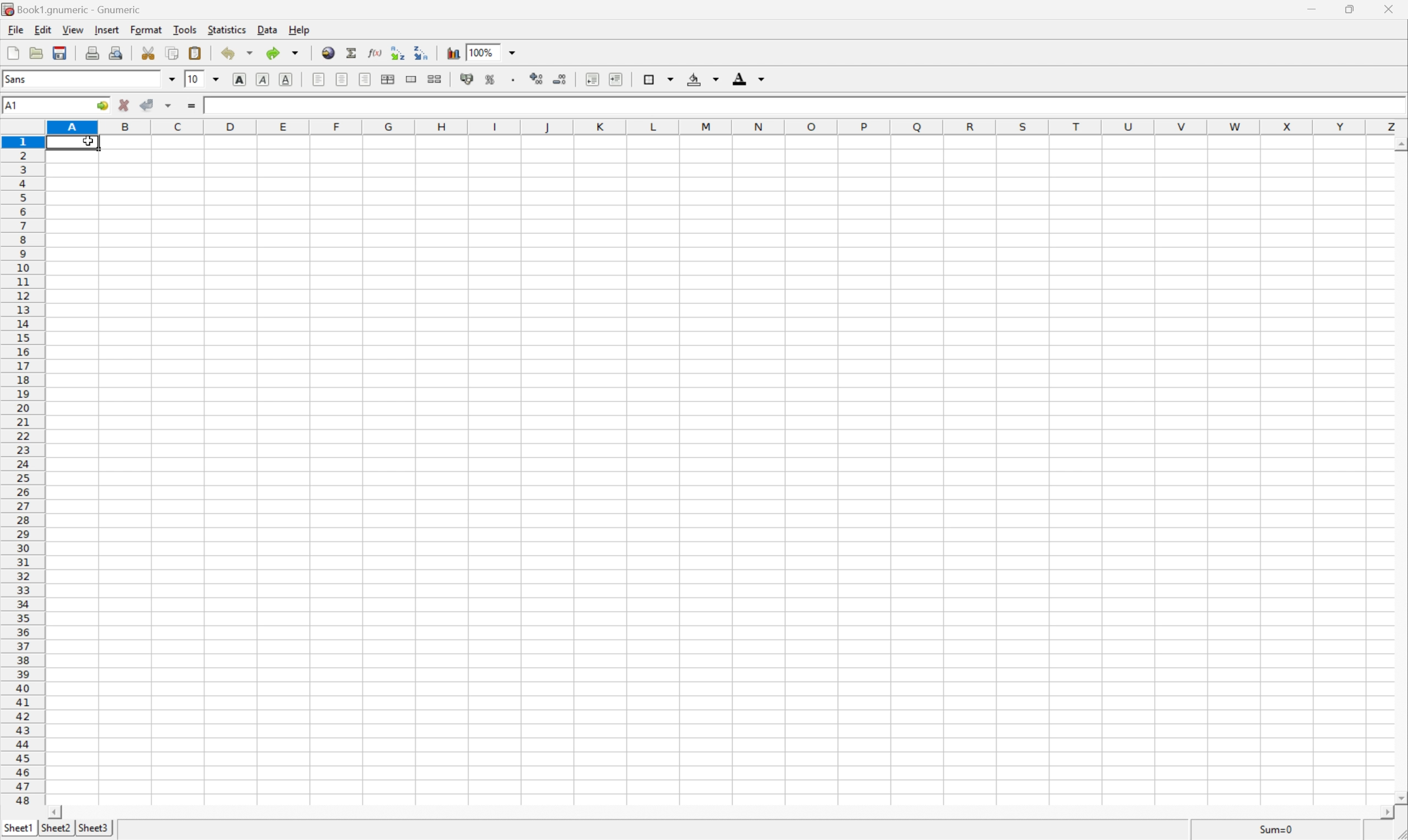 The image size is (1408, 840). Describe the element at coordinates (749, 78) in the screenshot. I see `foreground color` at that location.